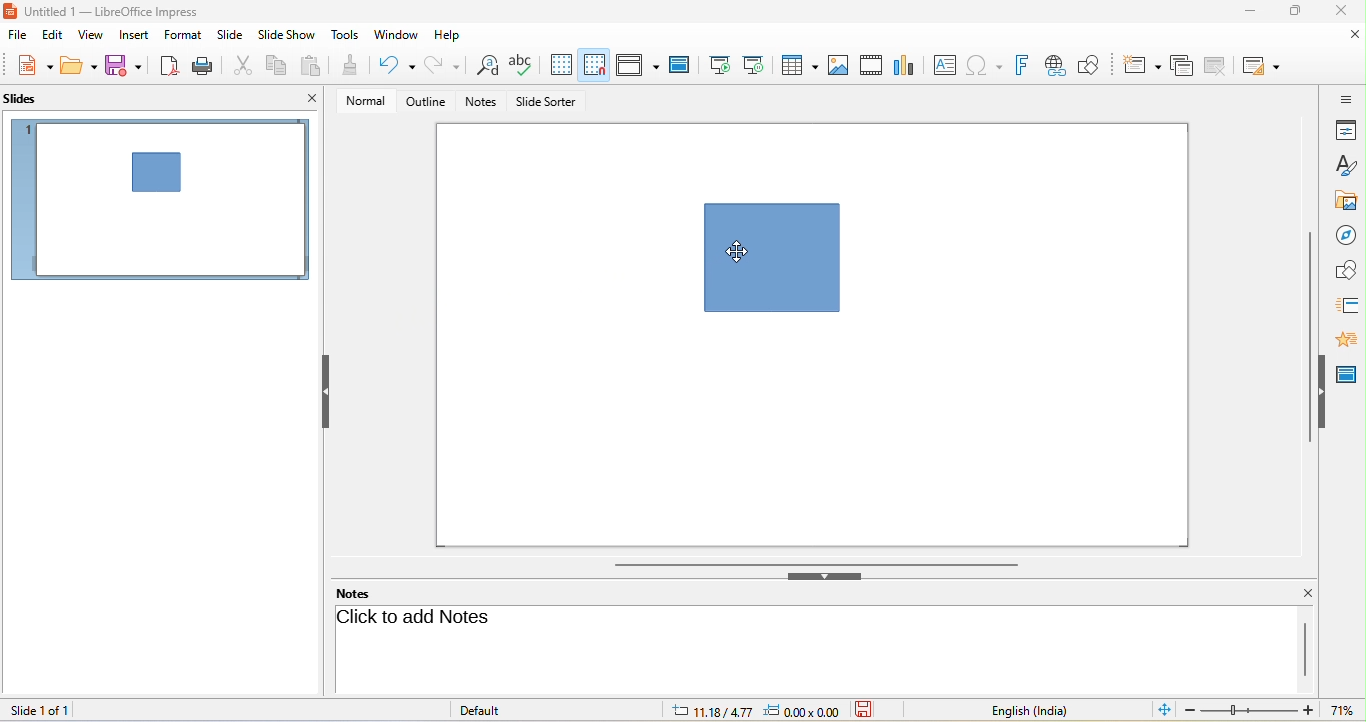 This screenshot has height=722, width=1366. Describe the element at coordinates (1216, 64) in the screenshot. I see `delete slide` at that location.